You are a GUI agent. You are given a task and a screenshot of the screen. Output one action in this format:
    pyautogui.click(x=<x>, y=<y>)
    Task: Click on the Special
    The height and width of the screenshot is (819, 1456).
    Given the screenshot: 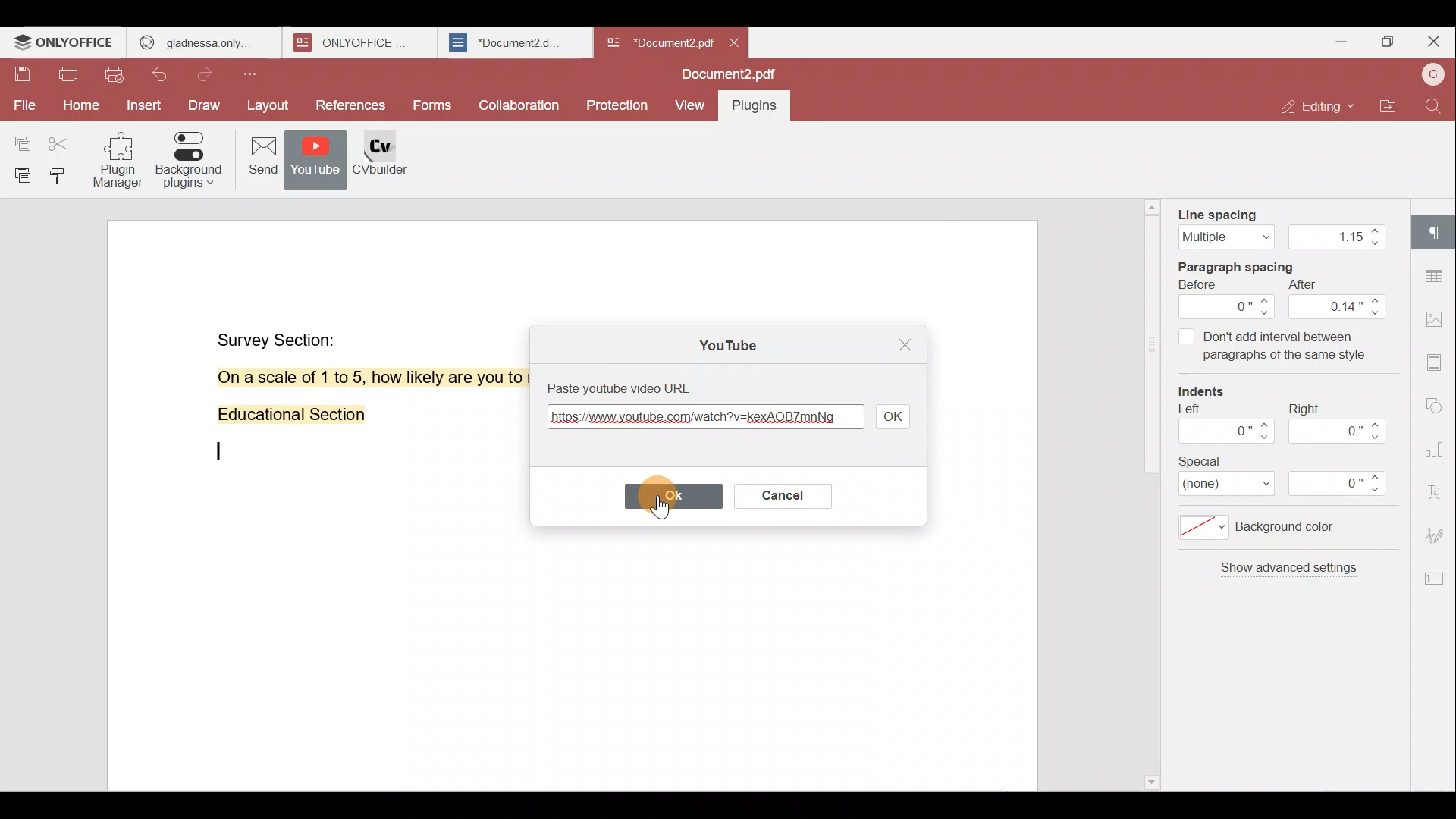 What is the action you would take?
    pyautogui.click(x=1292, y=477)
    